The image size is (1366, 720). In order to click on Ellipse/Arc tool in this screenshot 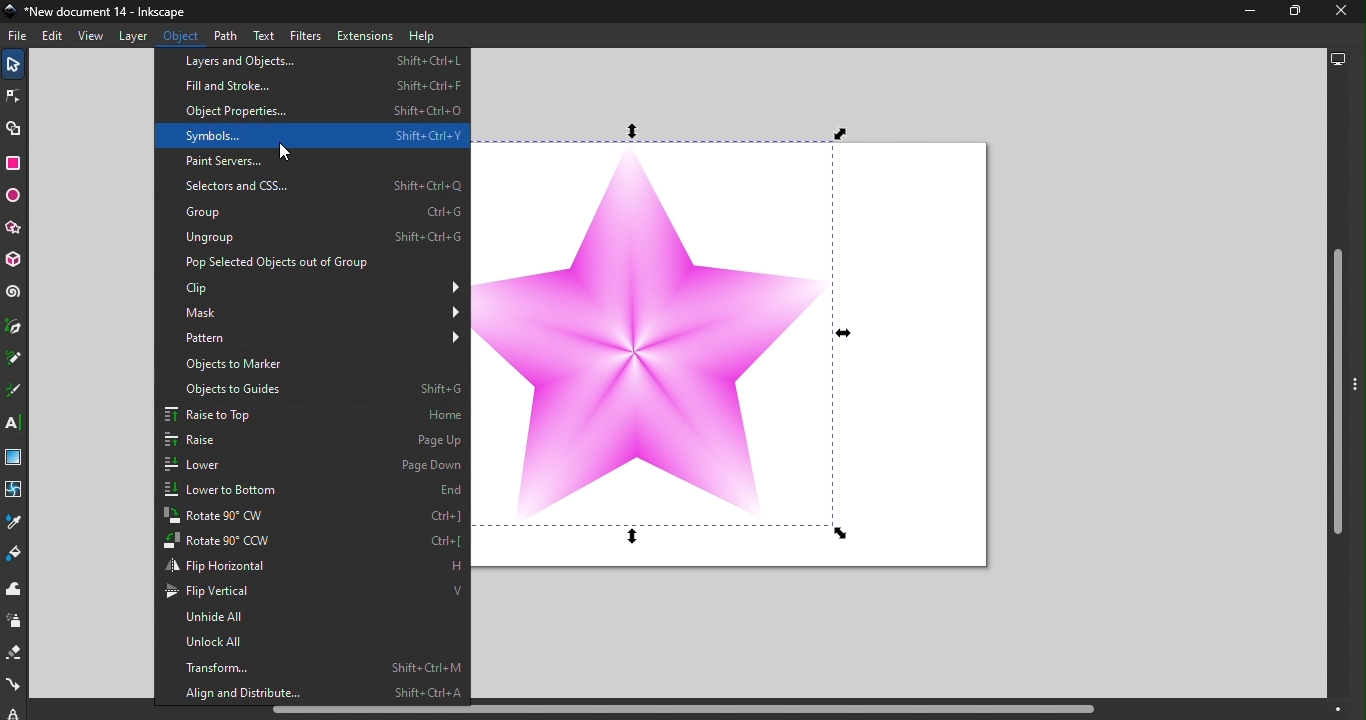, I will do `click(15, 199)`.